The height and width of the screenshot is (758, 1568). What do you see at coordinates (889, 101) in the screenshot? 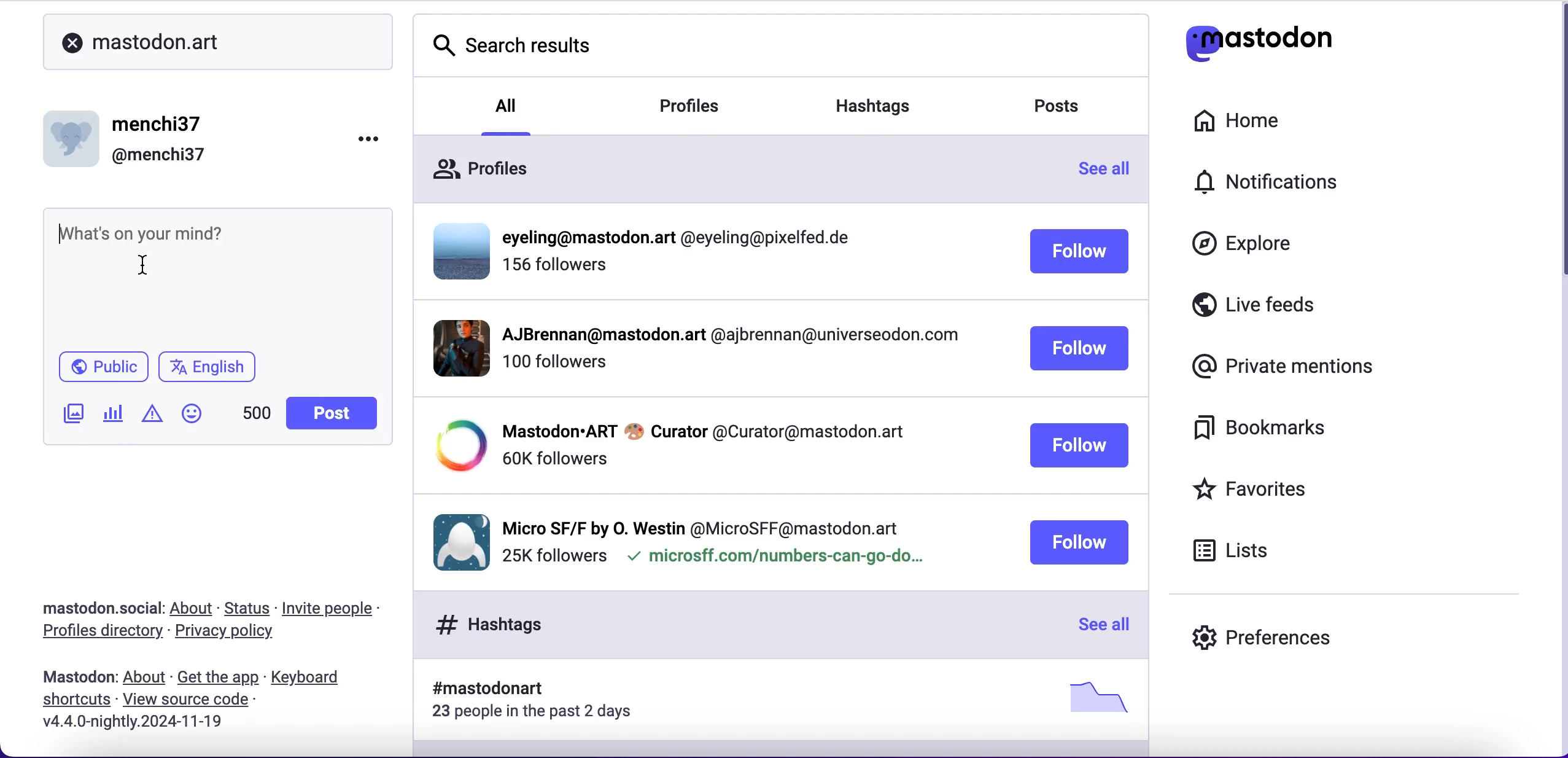
I see `hashtags` at bounding box center [889, 101].